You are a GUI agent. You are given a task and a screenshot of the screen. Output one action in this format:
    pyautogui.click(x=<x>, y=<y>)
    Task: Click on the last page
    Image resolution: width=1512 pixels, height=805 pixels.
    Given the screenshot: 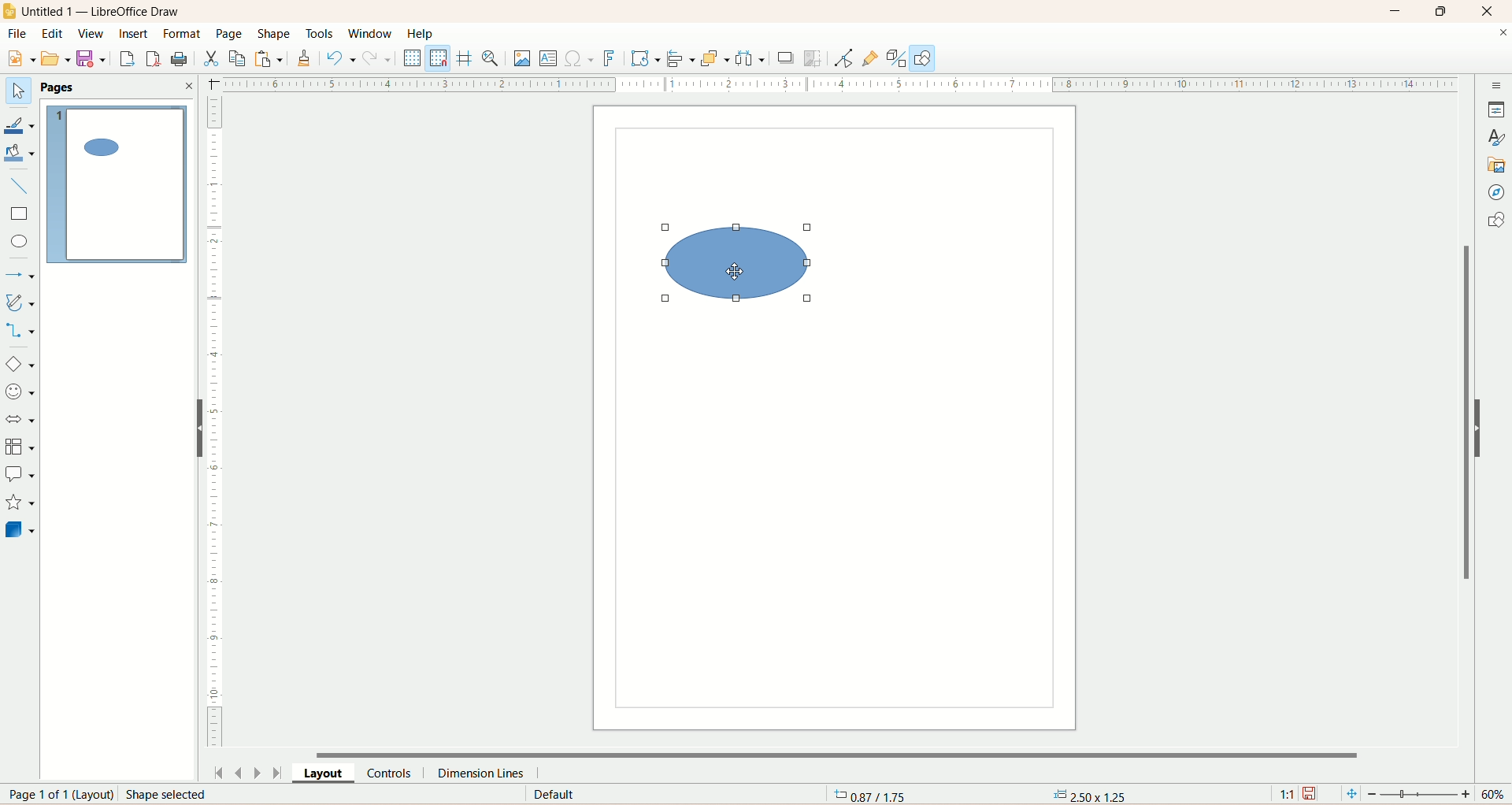 What is the action you would take?
    pyautogui.click(x=282, y=773)
    